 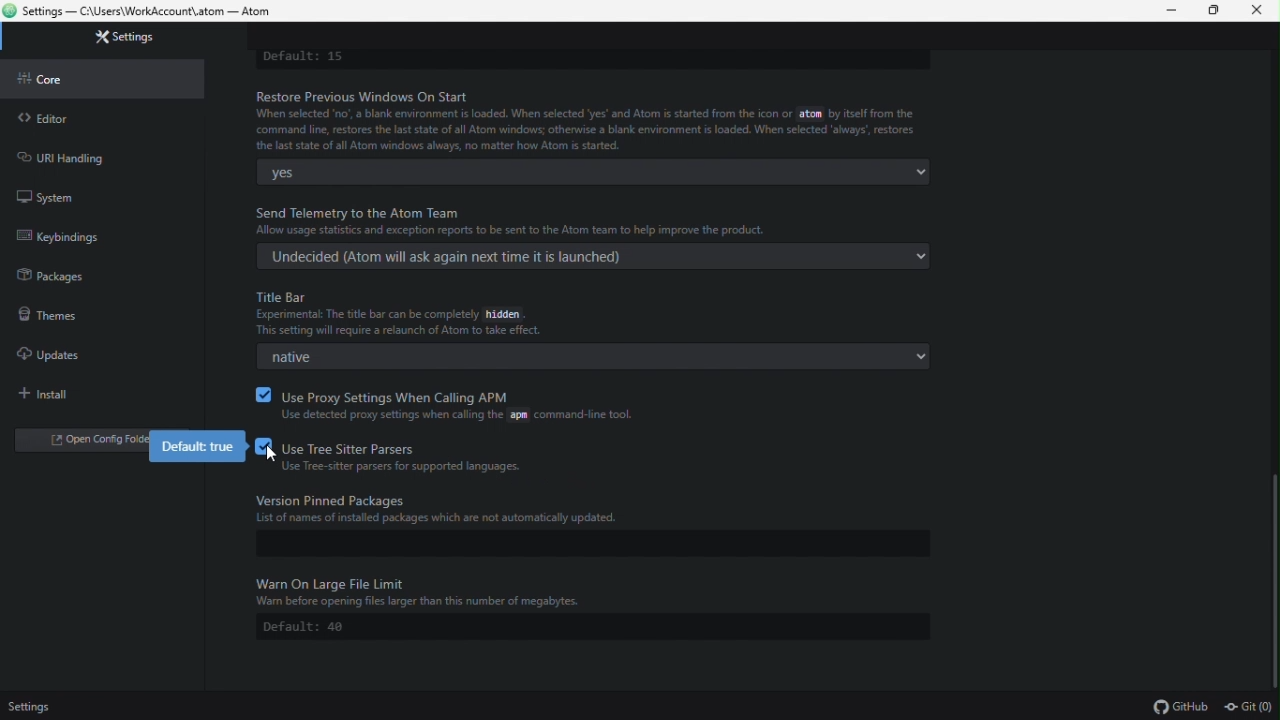 What do you see at coordinates (43, 118) in the screenshot?
I see `editor` at bounding box center [43, 118].